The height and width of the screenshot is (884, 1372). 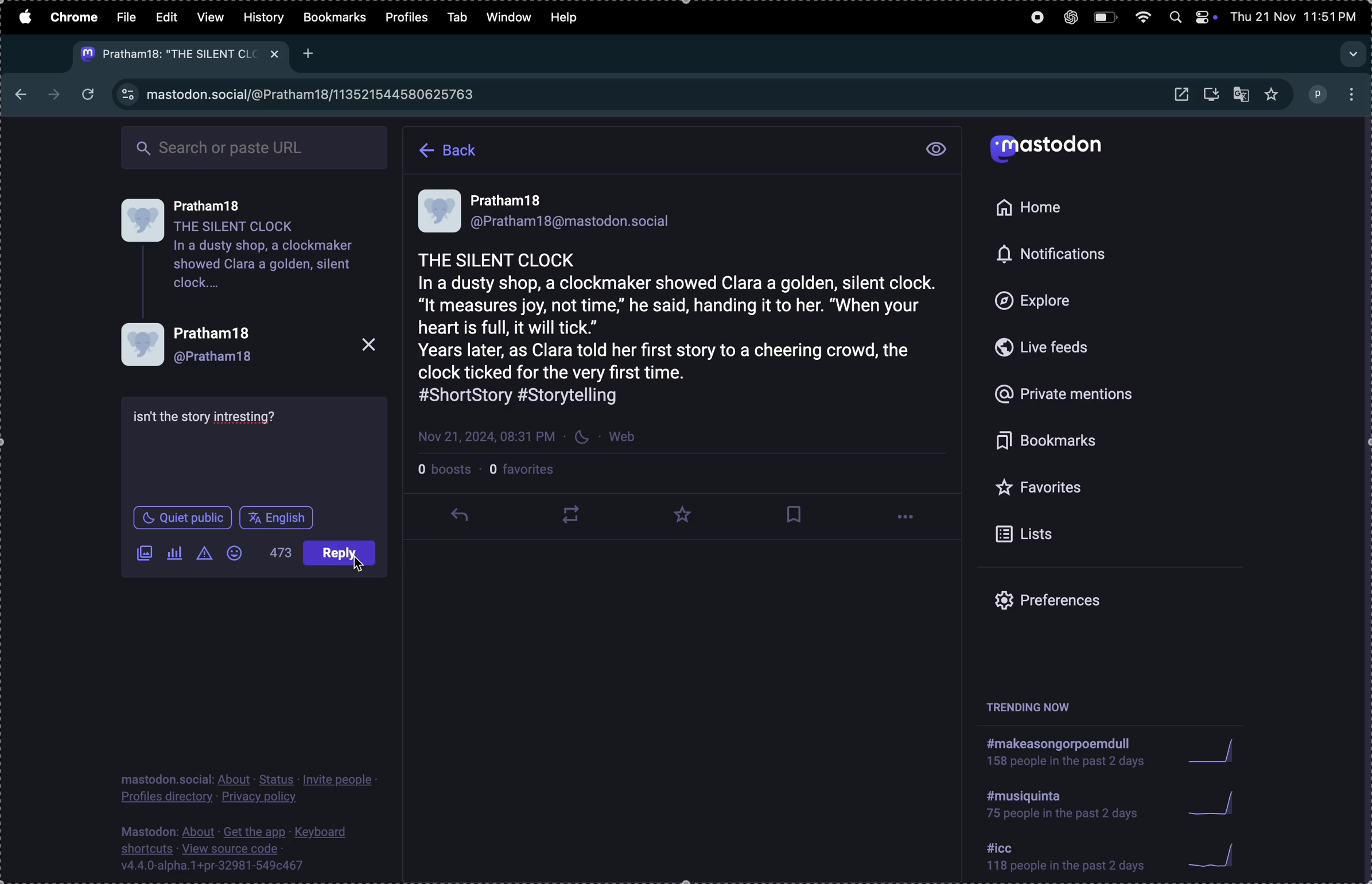 What do you see at coordinates (363, 565) in the screenshot?
I see `cursor` at bounding box center [363, 565].